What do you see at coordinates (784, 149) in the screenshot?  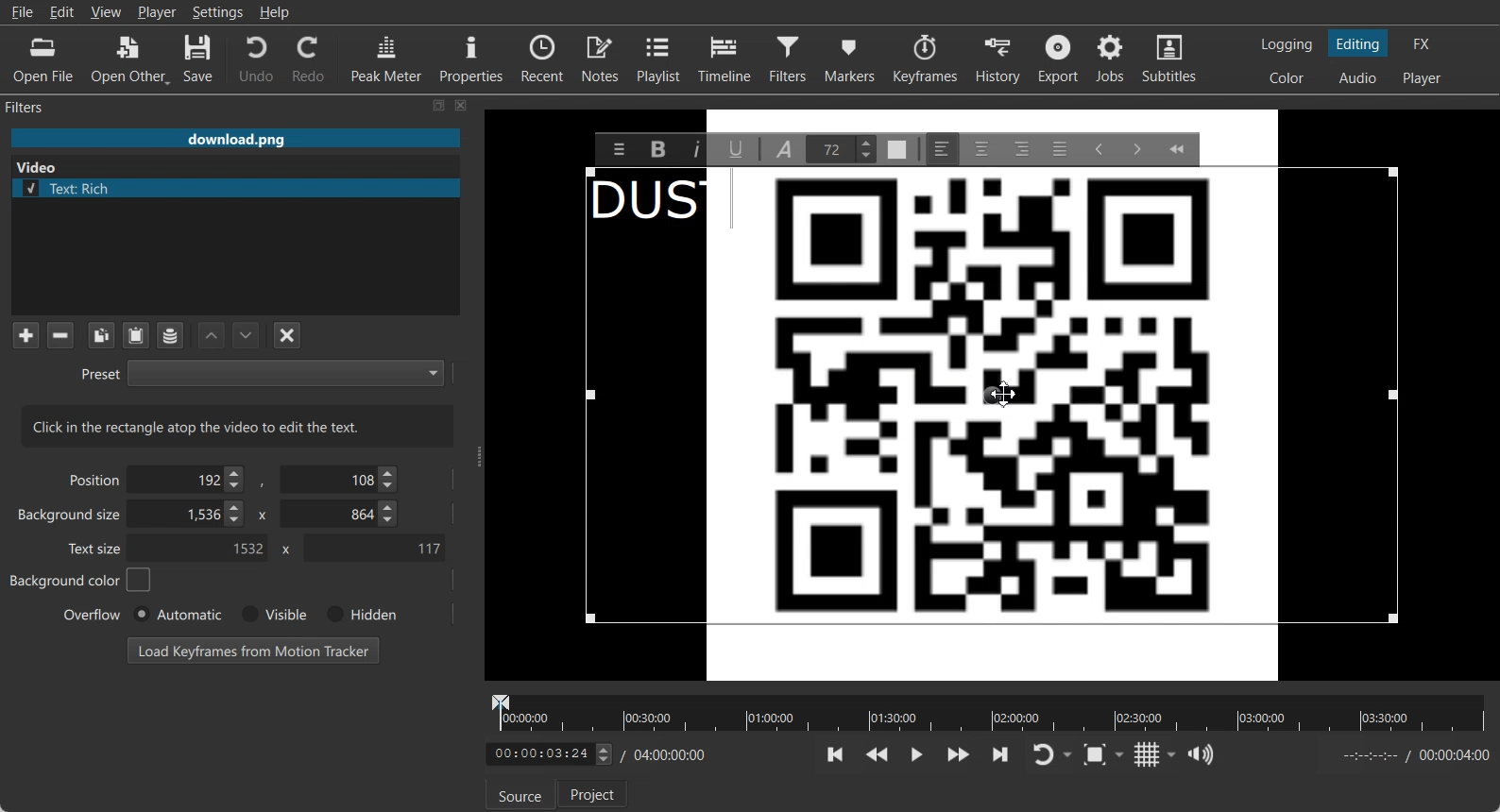 I see `Font` at bounding box center [784, 149].